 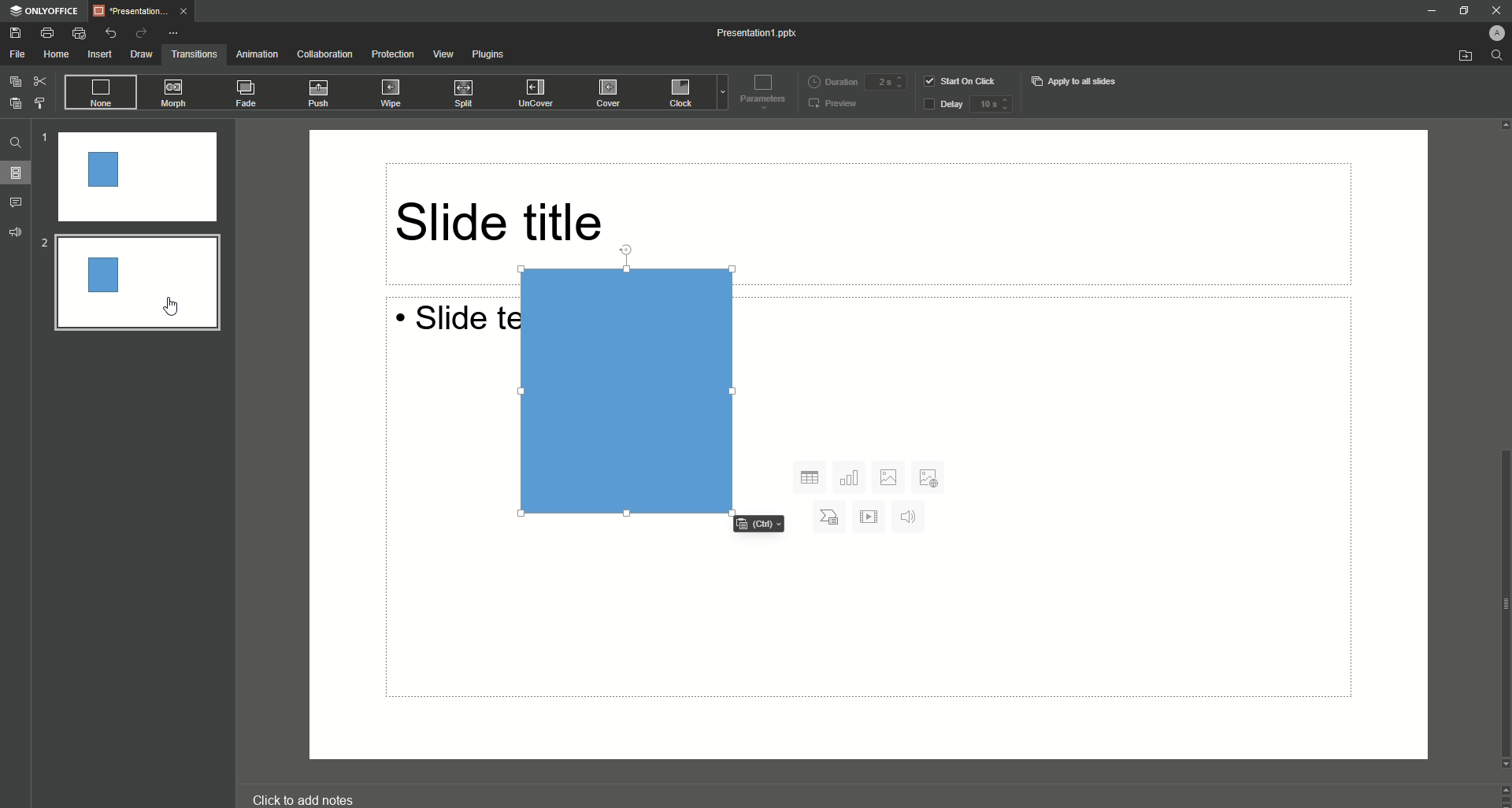 What do you see at coordinates (807, 476) in the screenshot?
I see `Grid` at bounding box center [807, 476].